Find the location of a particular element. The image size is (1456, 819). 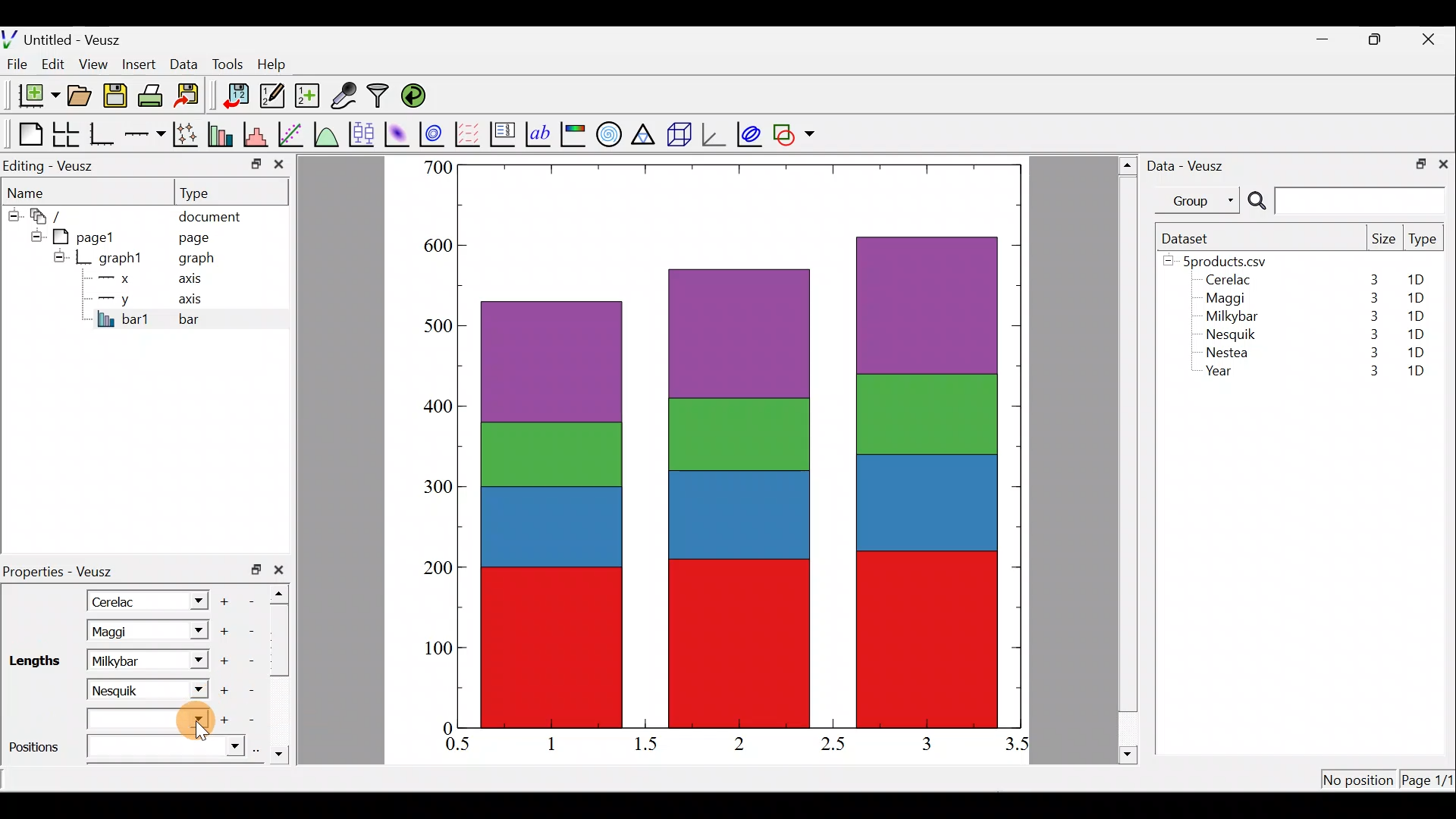

Milkybar is located at coordinates (130, 660).